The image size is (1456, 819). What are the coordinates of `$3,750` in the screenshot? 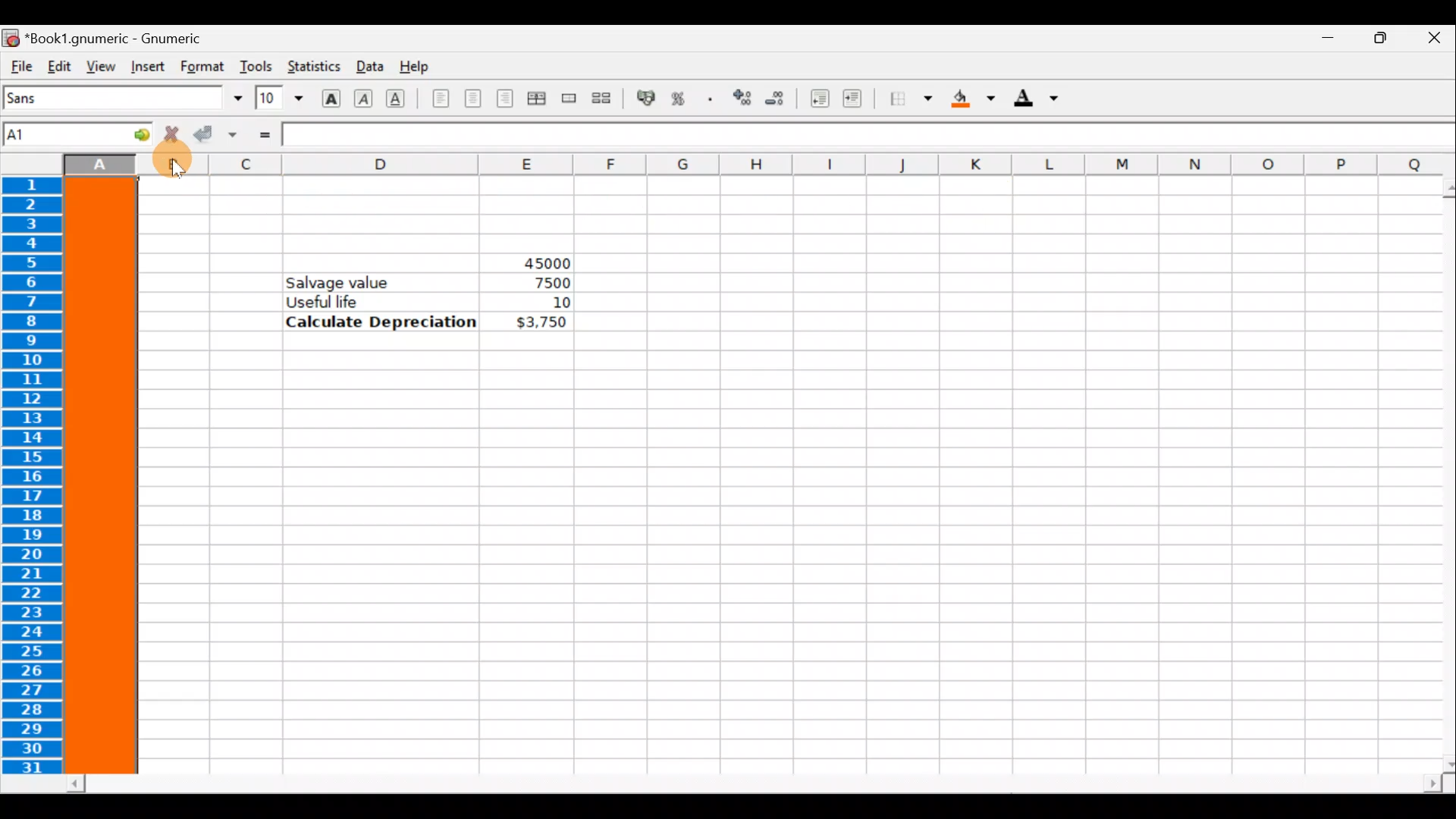 It's located at (540, 323).